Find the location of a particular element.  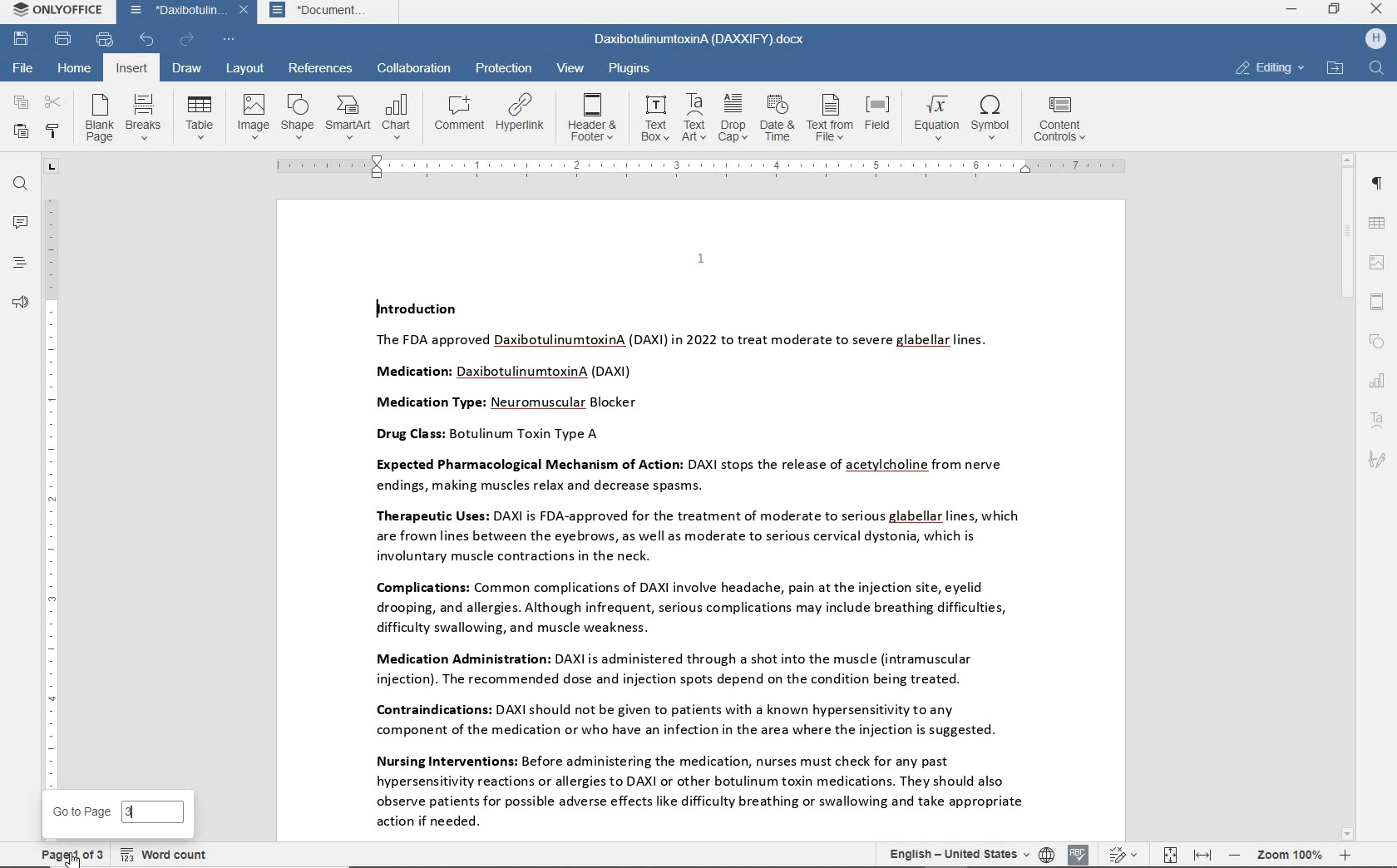

close is located at coordinates (244, 11).